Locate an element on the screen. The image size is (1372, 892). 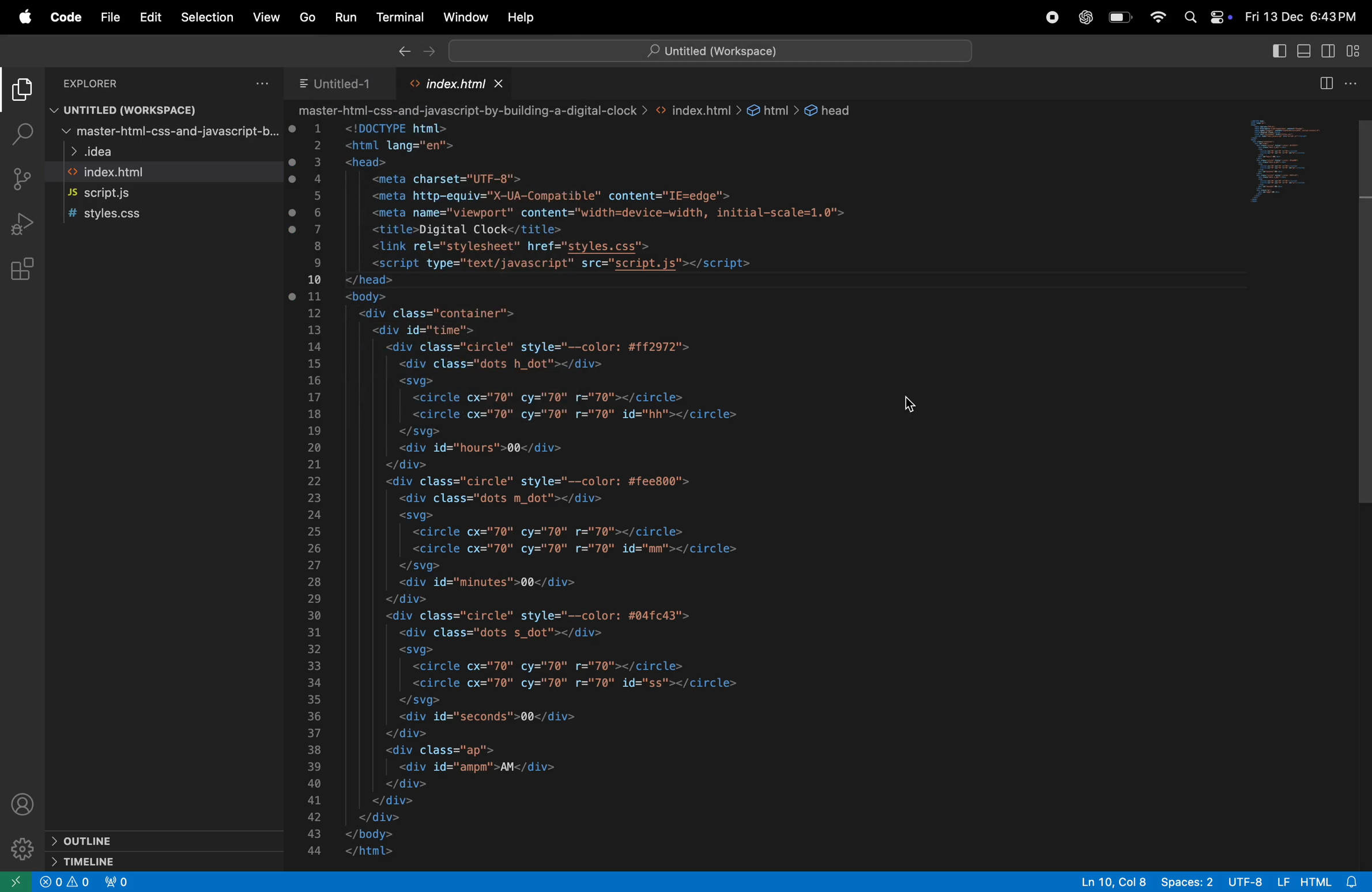
source control is located at coordinates (22, 178).